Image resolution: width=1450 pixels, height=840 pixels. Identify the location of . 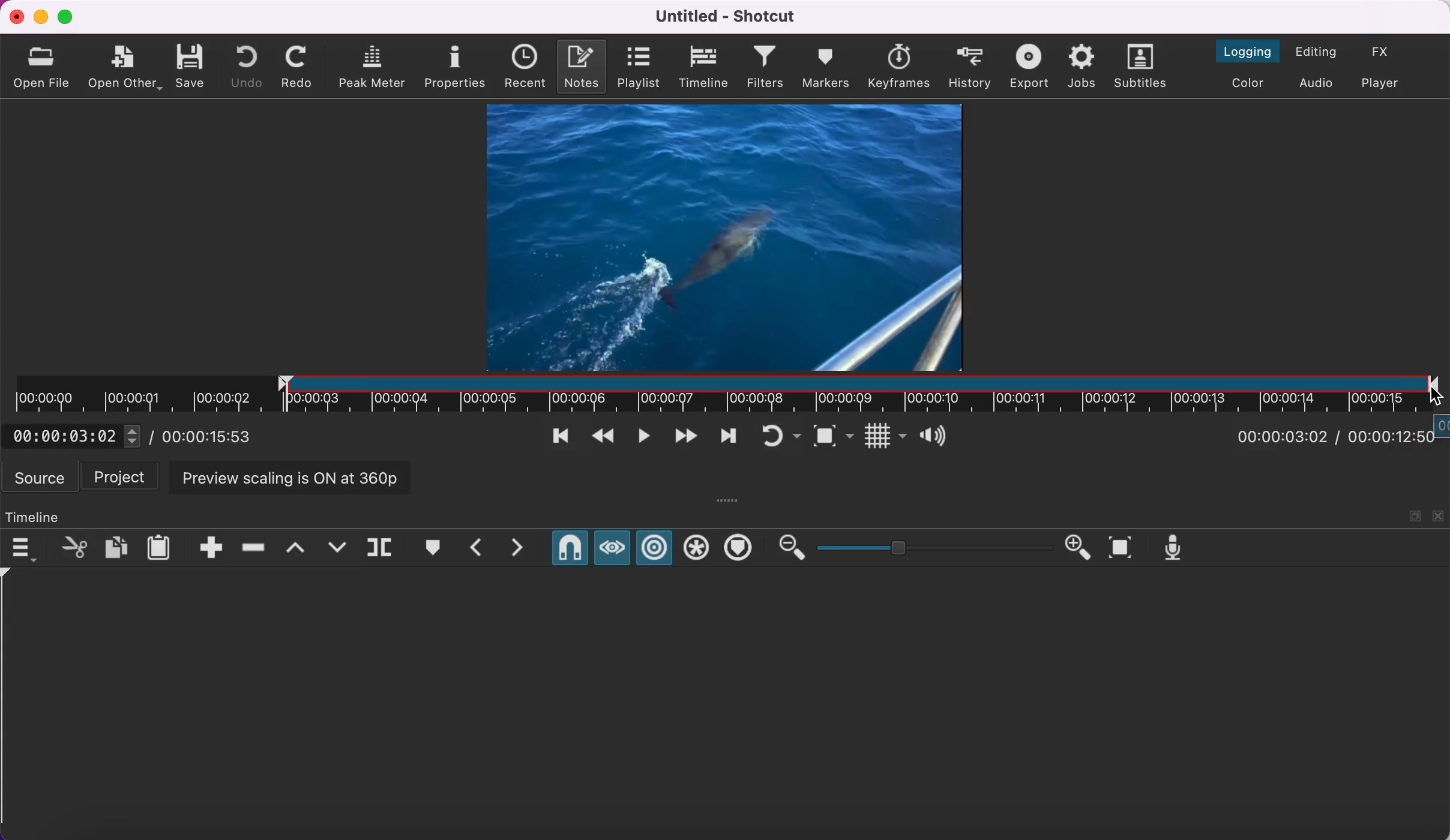
(885, 436).